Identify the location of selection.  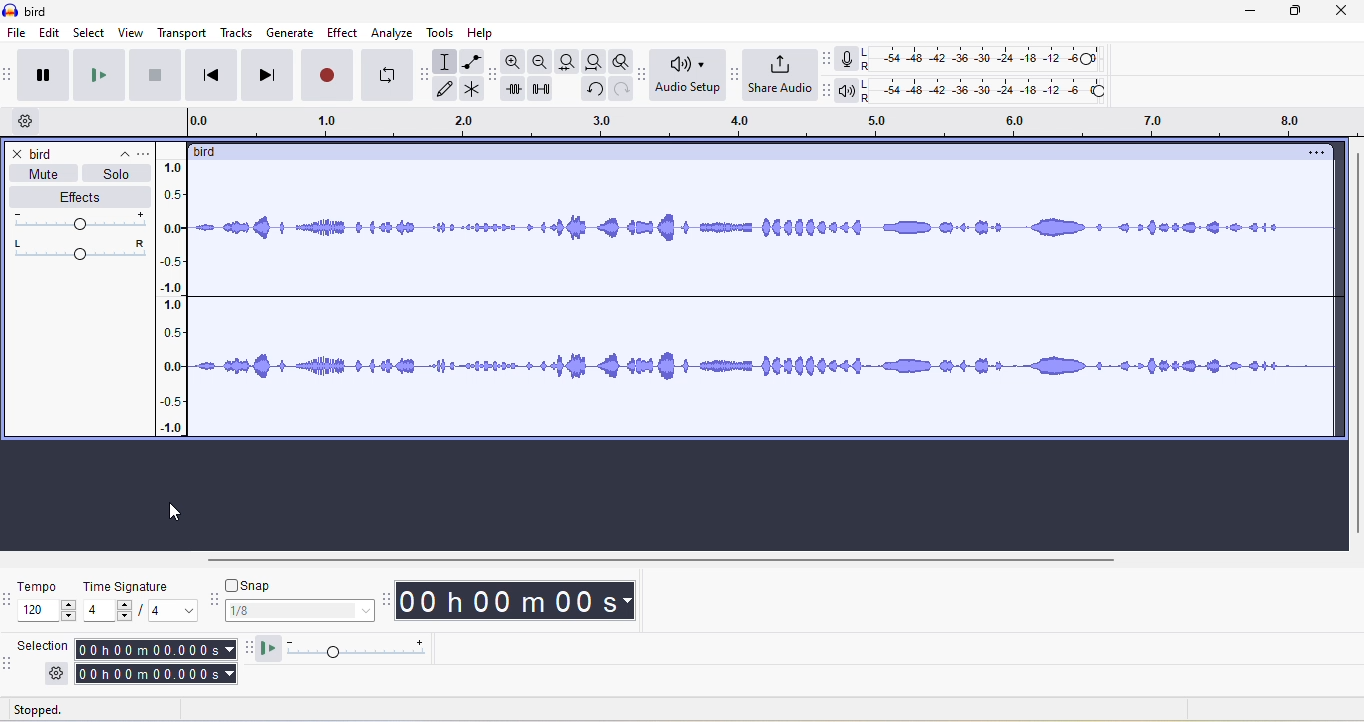
(154, 661).